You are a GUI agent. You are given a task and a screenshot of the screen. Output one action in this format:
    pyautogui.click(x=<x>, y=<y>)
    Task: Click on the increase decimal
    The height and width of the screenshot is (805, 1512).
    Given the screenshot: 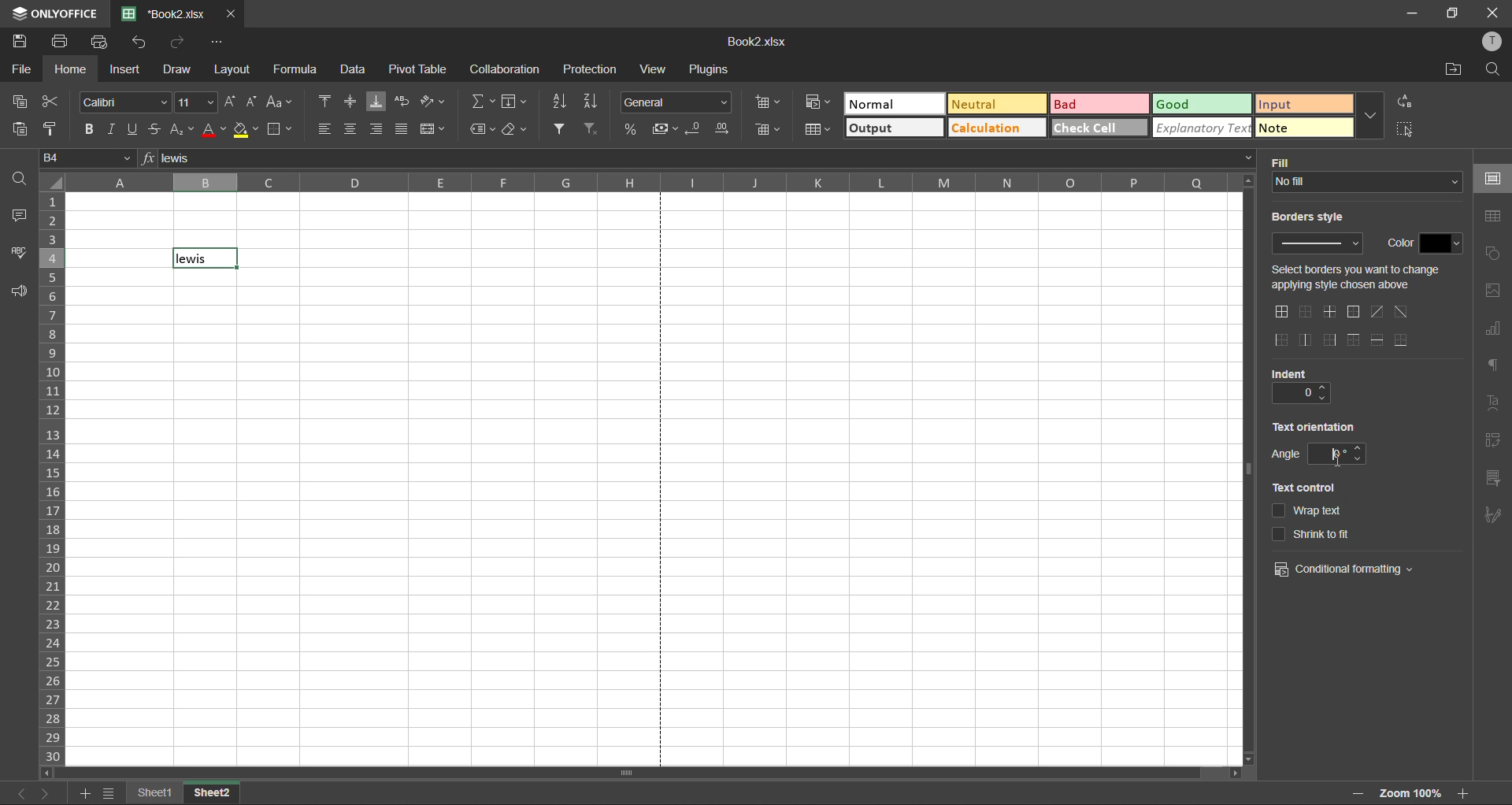 What is the action you would take?
    pyautogui.click(x=721, y=129)
    